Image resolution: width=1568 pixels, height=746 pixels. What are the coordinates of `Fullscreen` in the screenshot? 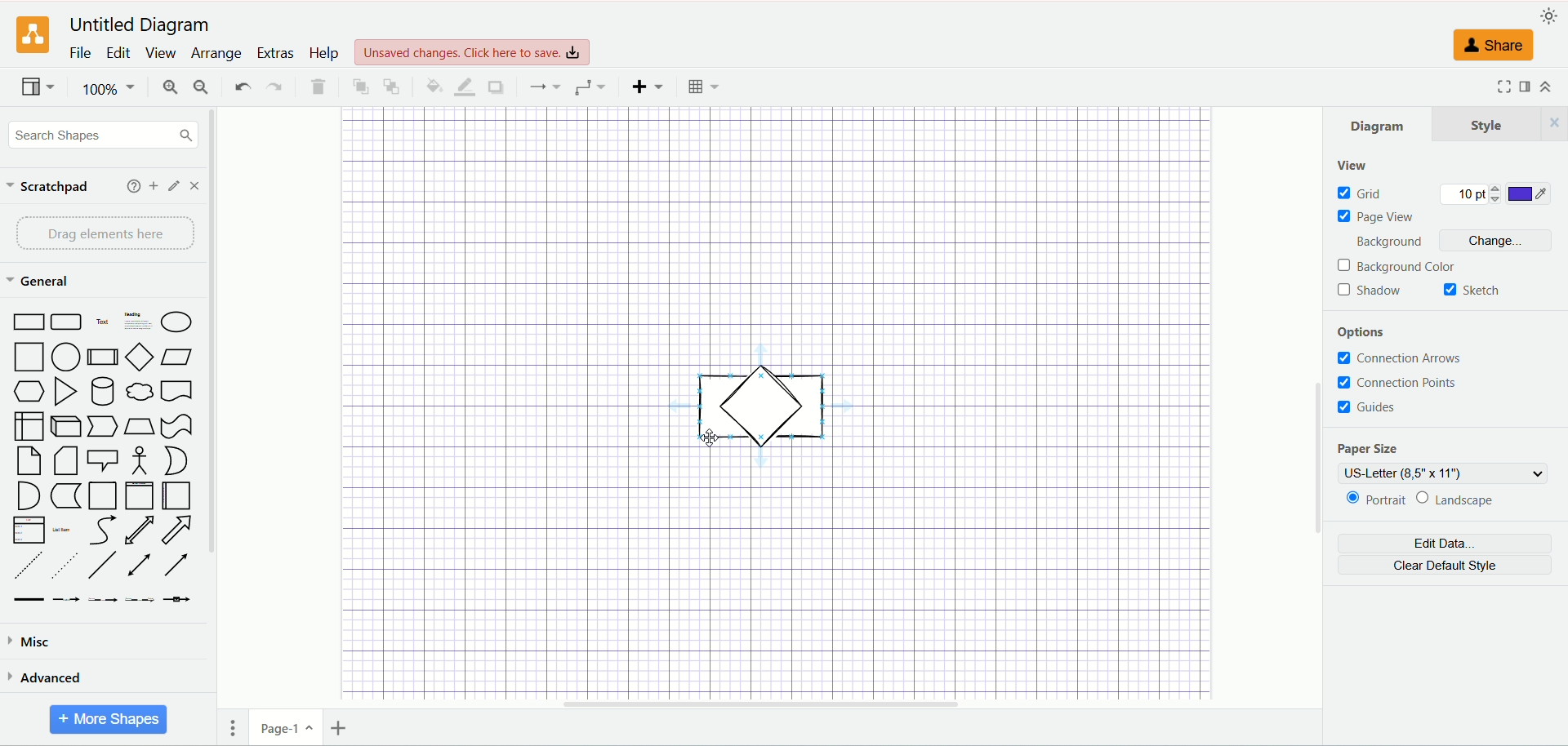 It's located at (1496, 87).